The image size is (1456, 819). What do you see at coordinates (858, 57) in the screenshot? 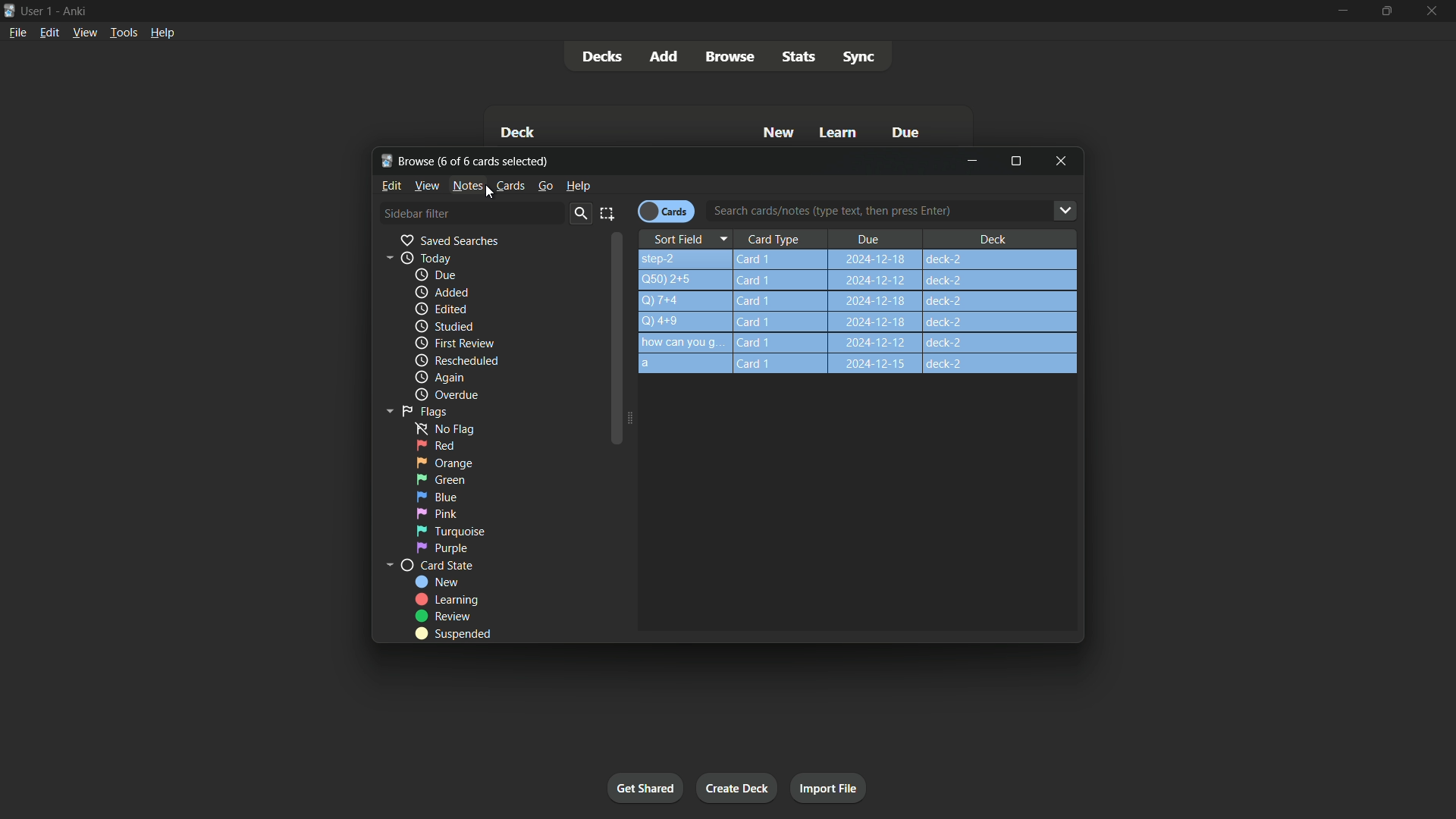
I see `Sync` at bounding box center [858, 57].